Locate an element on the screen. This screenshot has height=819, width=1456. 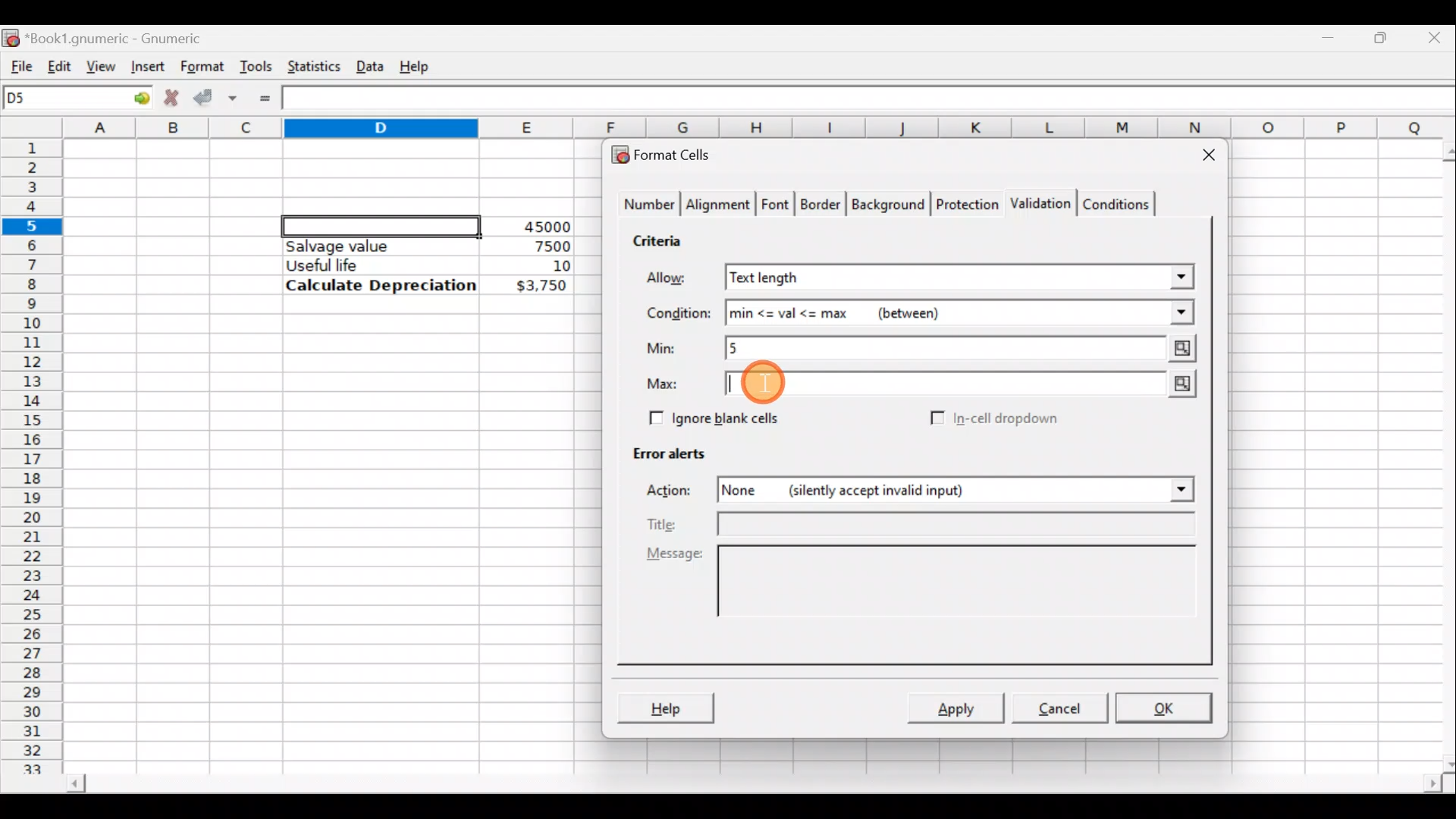
Conditions drop down is located at coordinates (1166, 312).